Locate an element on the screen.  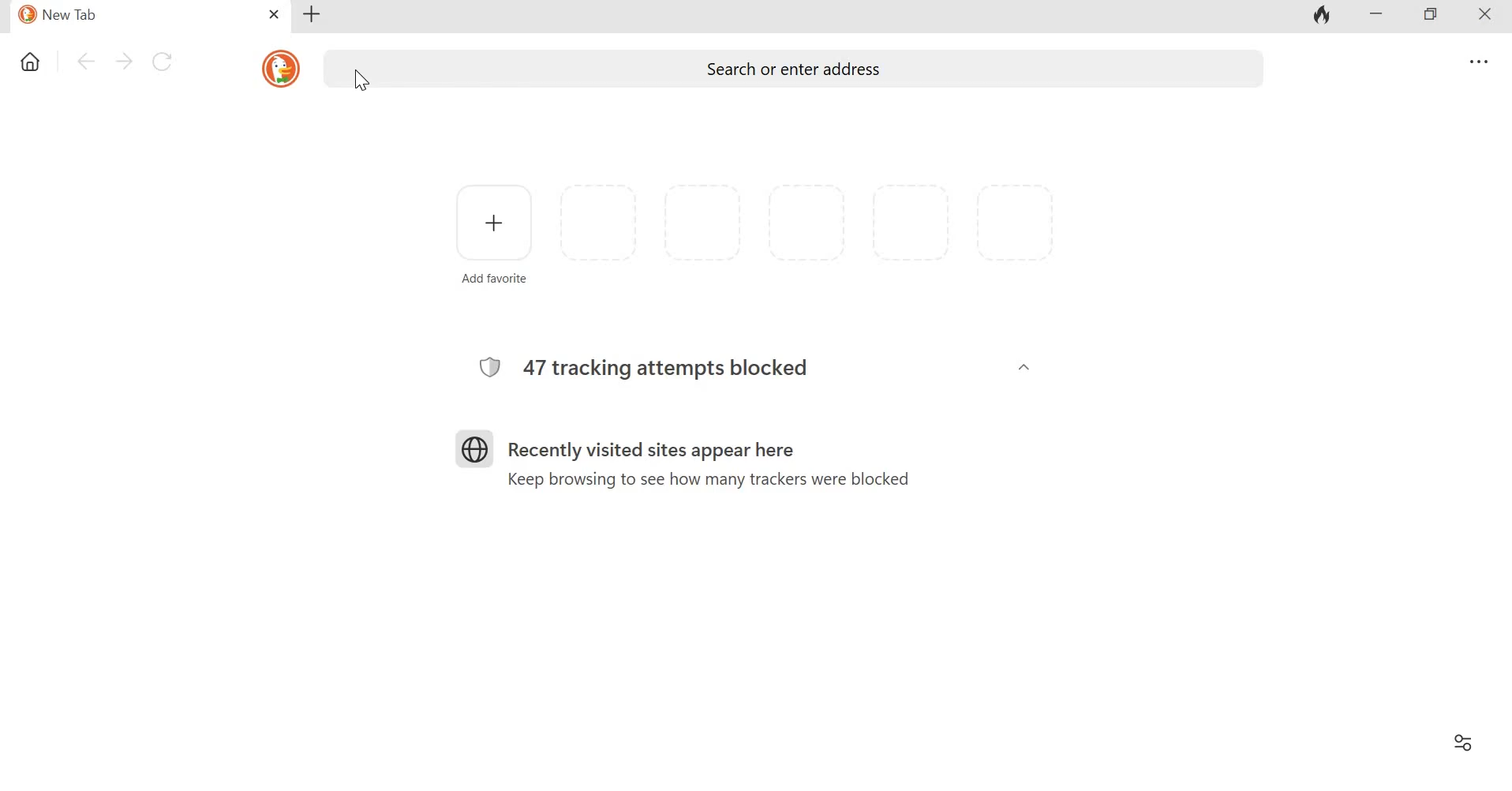
New tab is located at coordinates (316, 16).